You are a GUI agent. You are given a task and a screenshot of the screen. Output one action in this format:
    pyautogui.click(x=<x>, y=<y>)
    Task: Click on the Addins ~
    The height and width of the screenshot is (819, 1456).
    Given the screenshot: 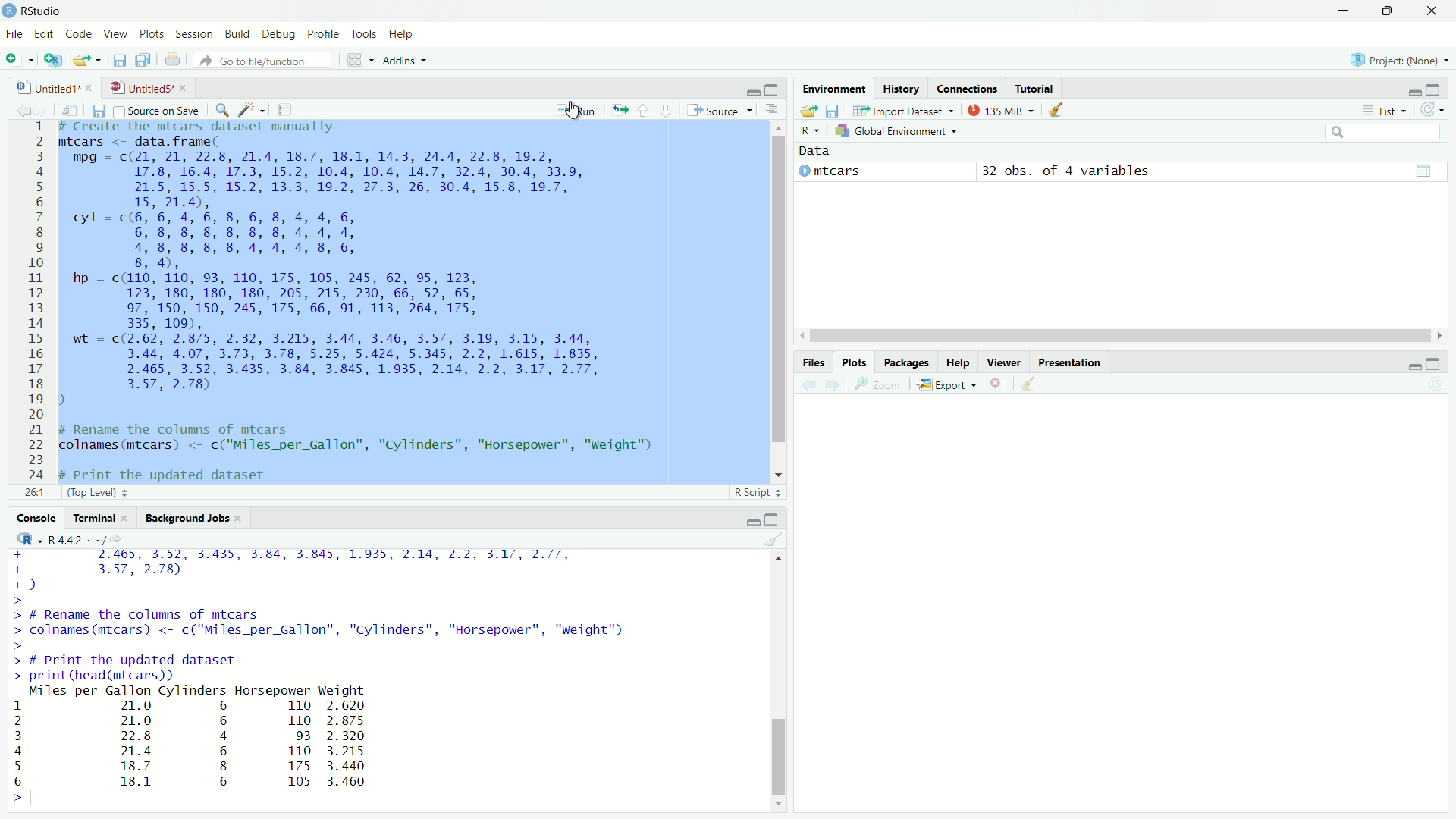 What is the action you would take?
    pyautogui.click(x=404, y=62)
    